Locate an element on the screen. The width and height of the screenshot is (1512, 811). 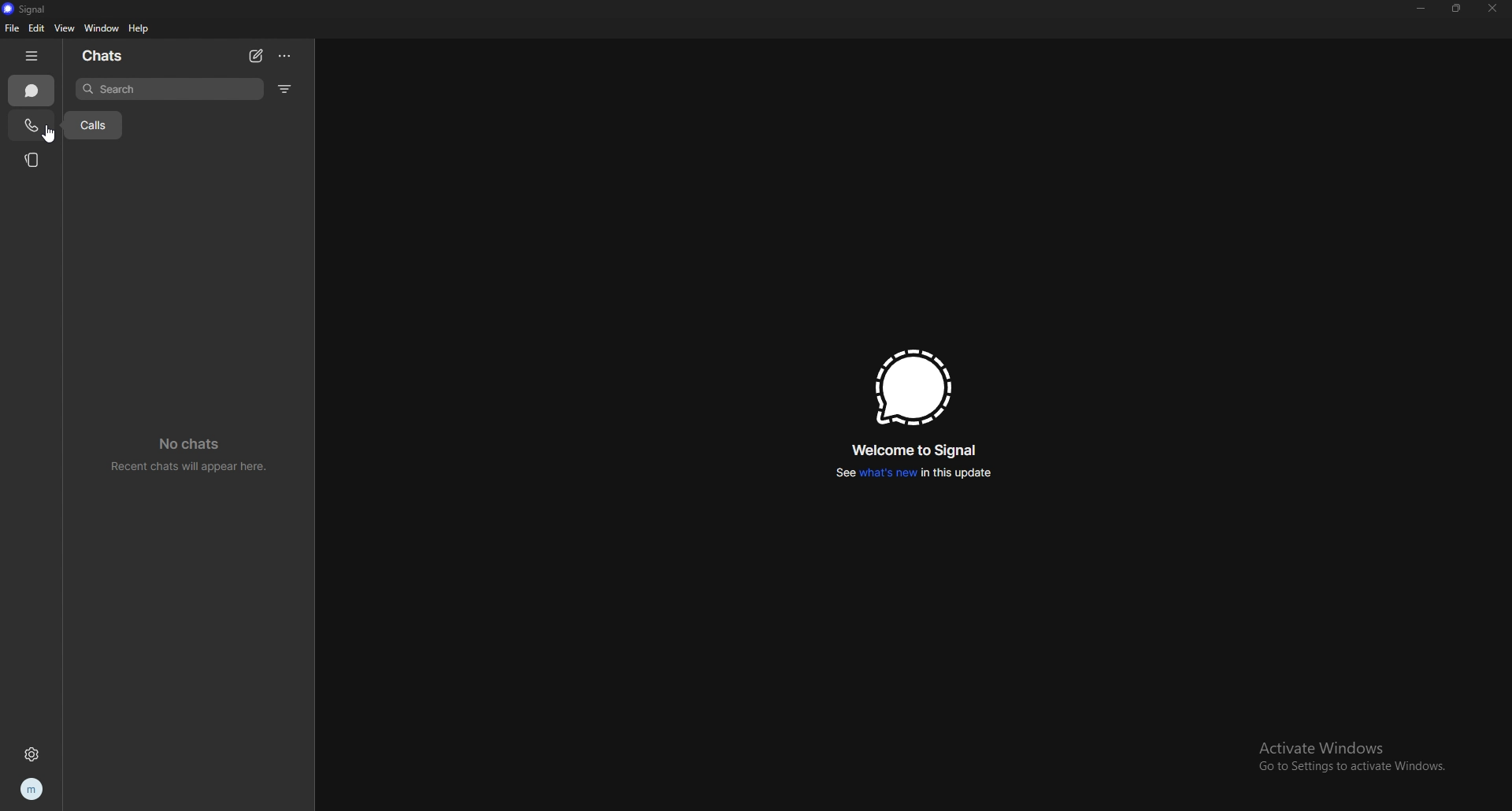
signal logo is located at coordinates (912, 387).